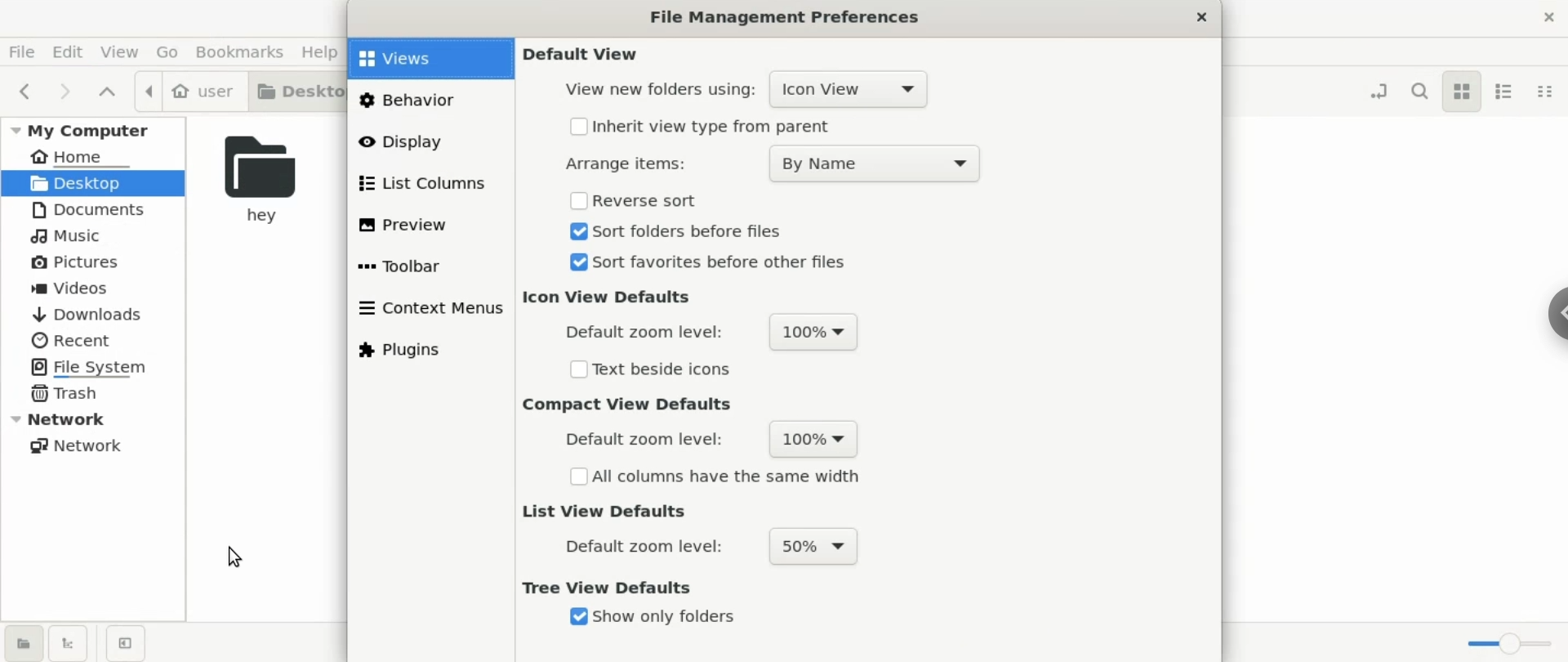  I want to click on close sidebars, so click(123, 642).